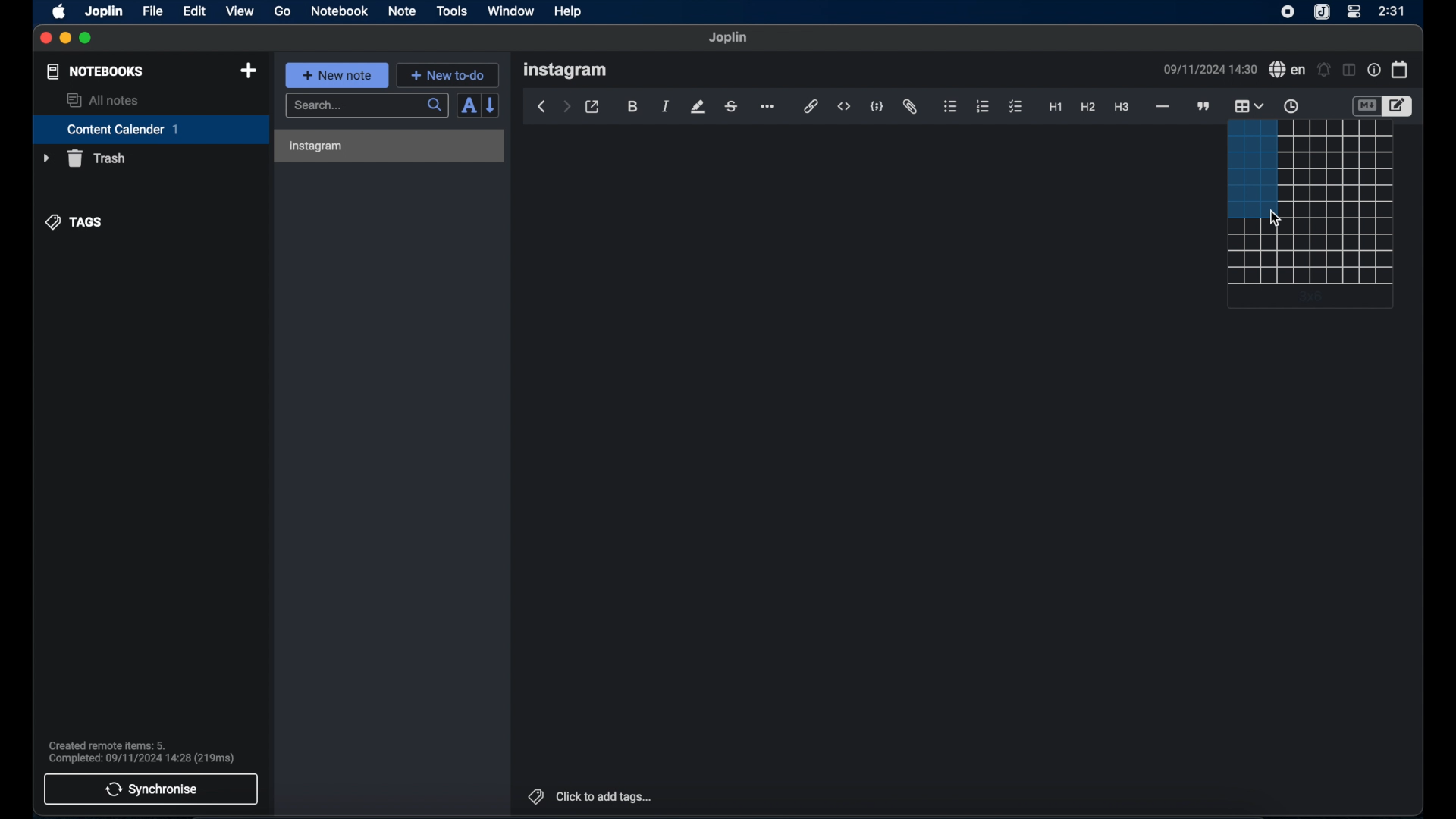  What do you see at coordinates (1354, 12) in the screenshot?
I see `control center` at bounding box center [1354, 12].